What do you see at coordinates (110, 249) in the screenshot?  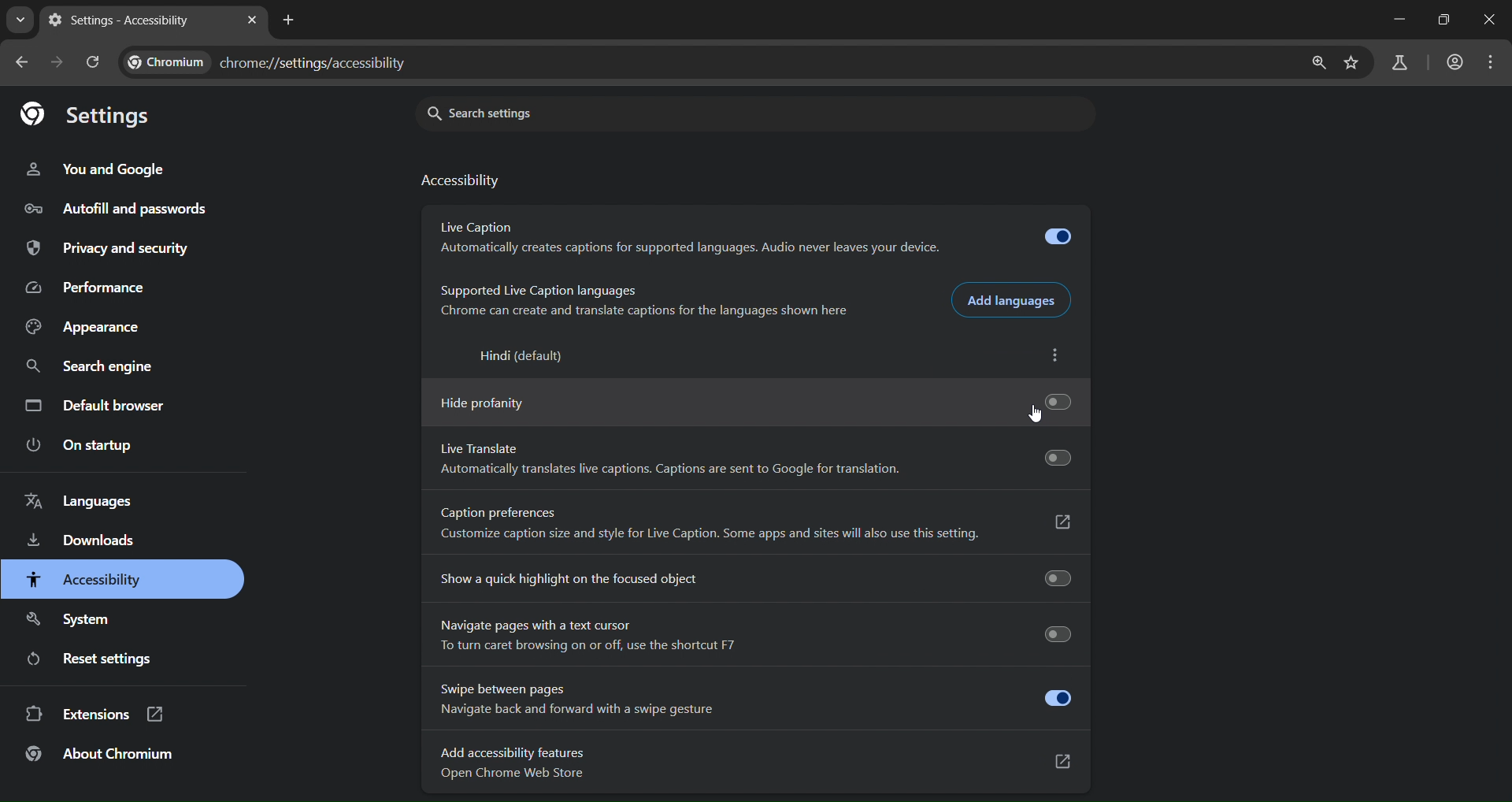 I see `privacy and security` at bounding box center [110, 249].